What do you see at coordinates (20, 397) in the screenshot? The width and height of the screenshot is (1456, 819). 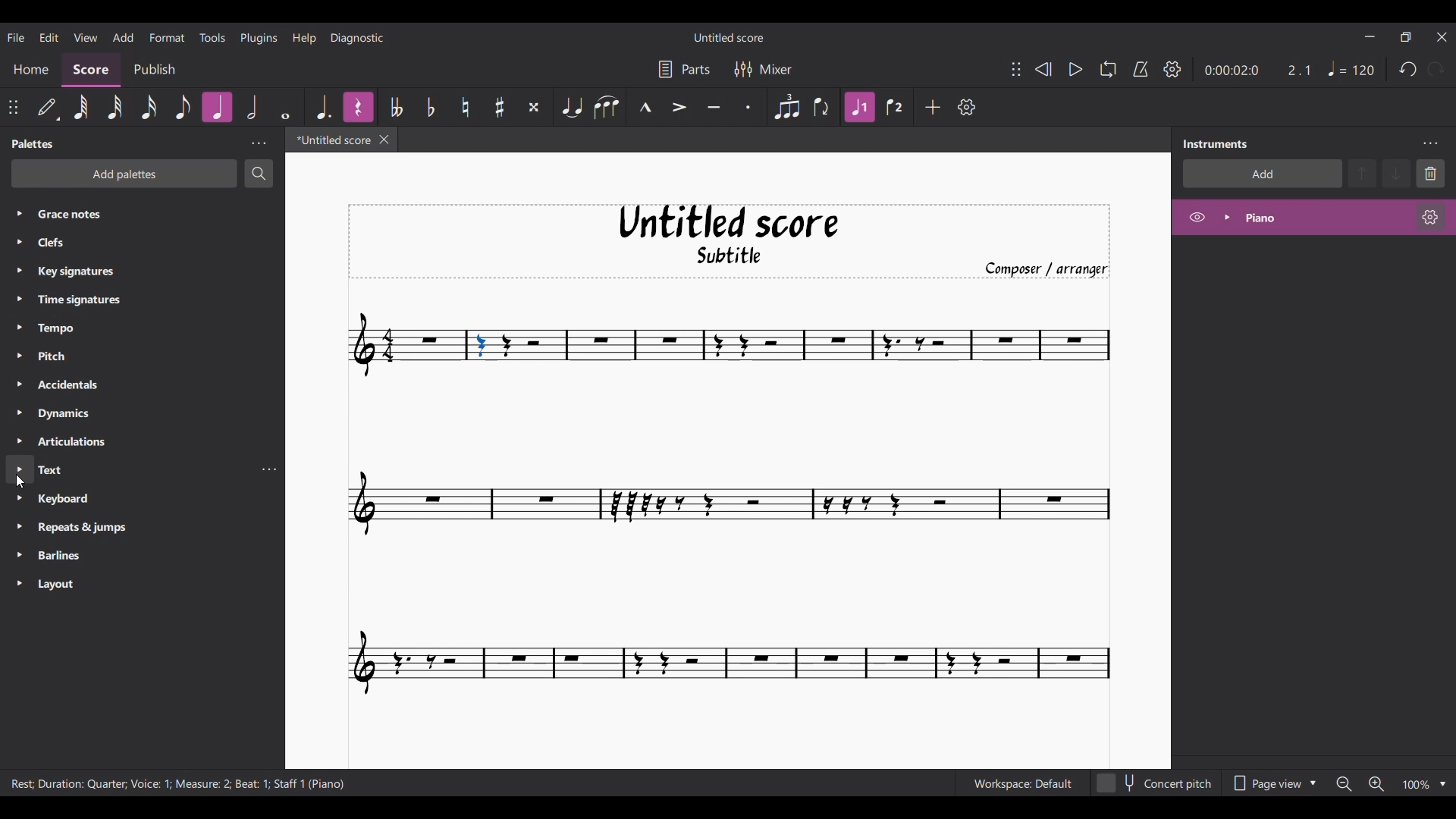 I see `Expand each palette` at bounding box center [20, 397].